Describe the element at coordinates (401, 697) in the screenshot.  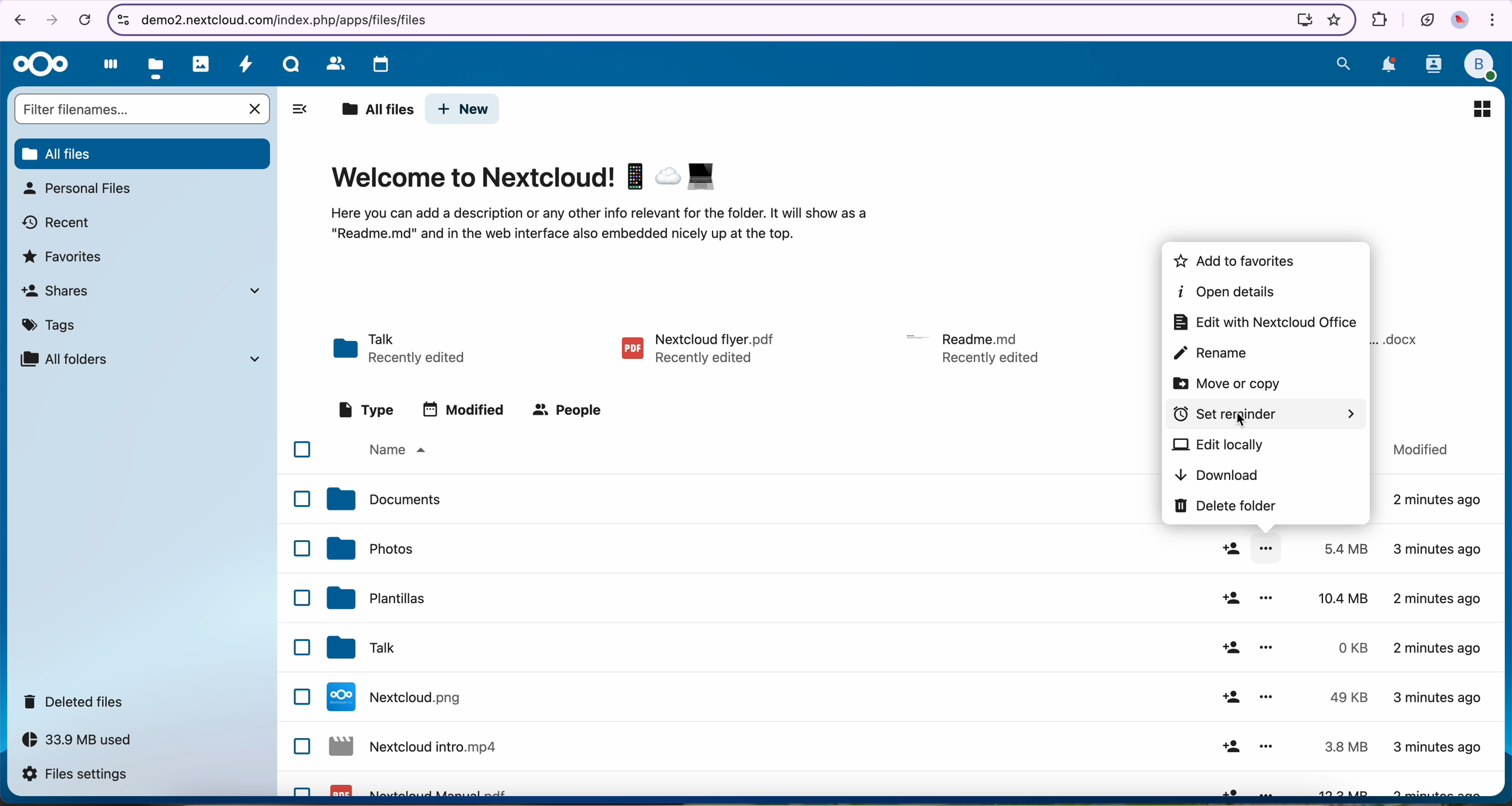
I see `Nextcloud file` at that location.